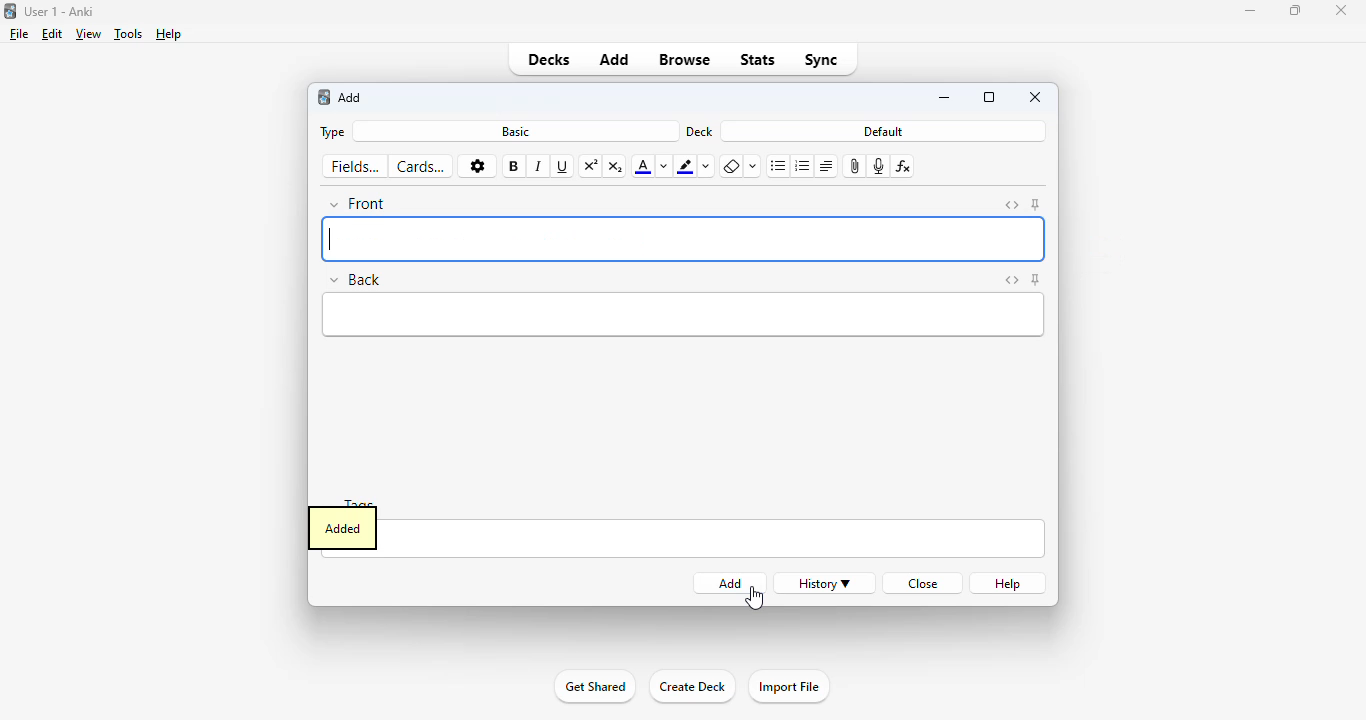 Image resolution: width=1366 pixels, height=720 pixels. Describe the element at coordinates (1250, 11) in the screenshot. I see `minimize` at that location.